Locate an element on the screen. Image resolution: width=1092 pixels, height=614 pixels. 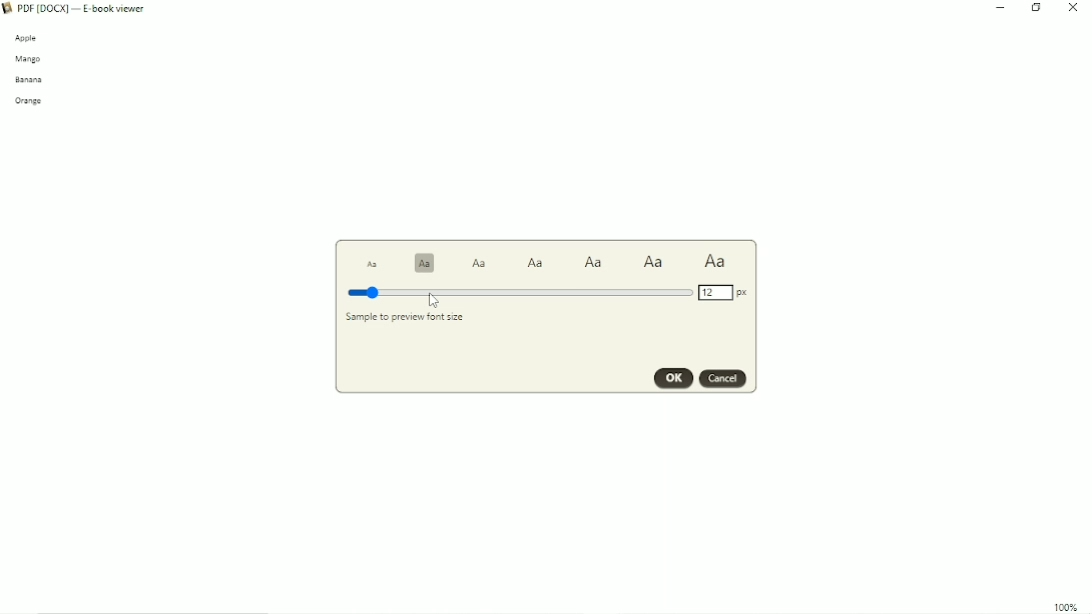
Minimize is located at coordinates (1001, 9).